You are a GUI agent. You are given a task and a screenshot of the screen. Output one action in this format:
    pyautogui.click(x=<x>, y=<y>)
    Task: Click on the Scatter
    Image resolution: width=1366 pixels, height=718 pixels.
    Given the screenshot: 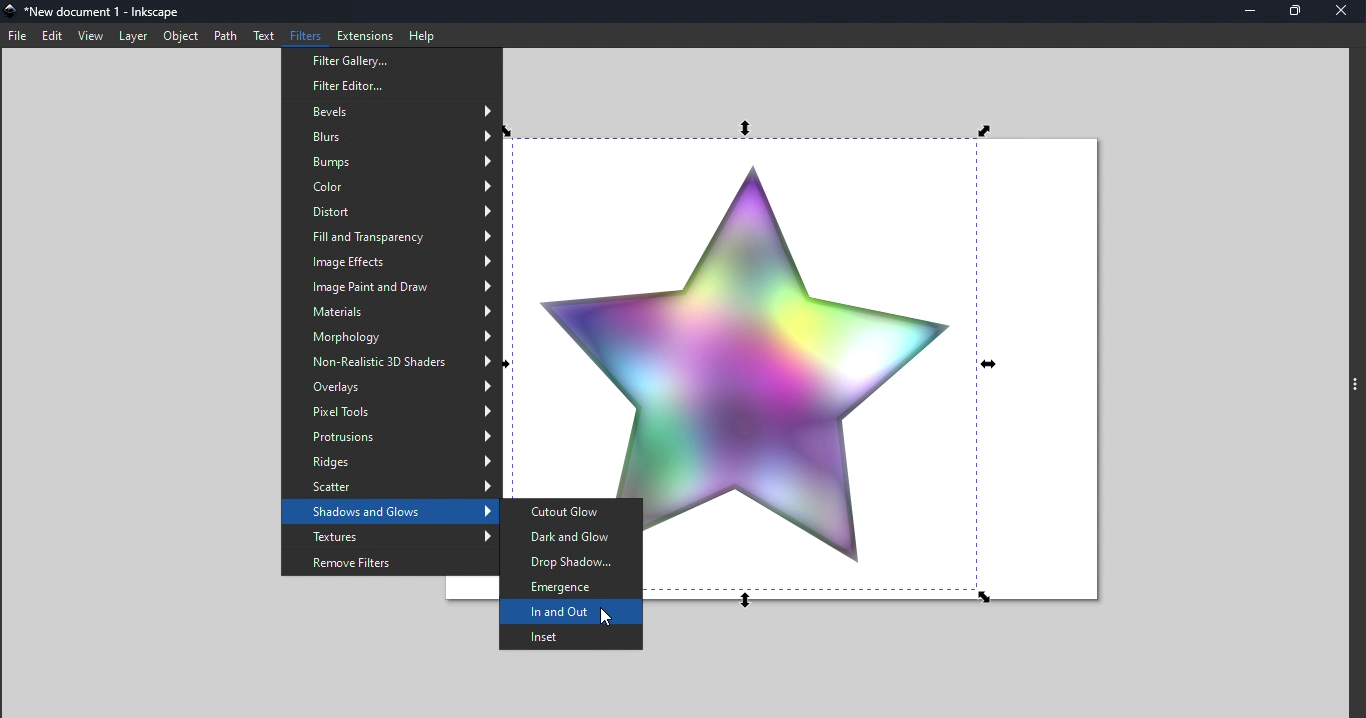 What is the action you would take?
    pyautogui.click(x=394, y=487)
    